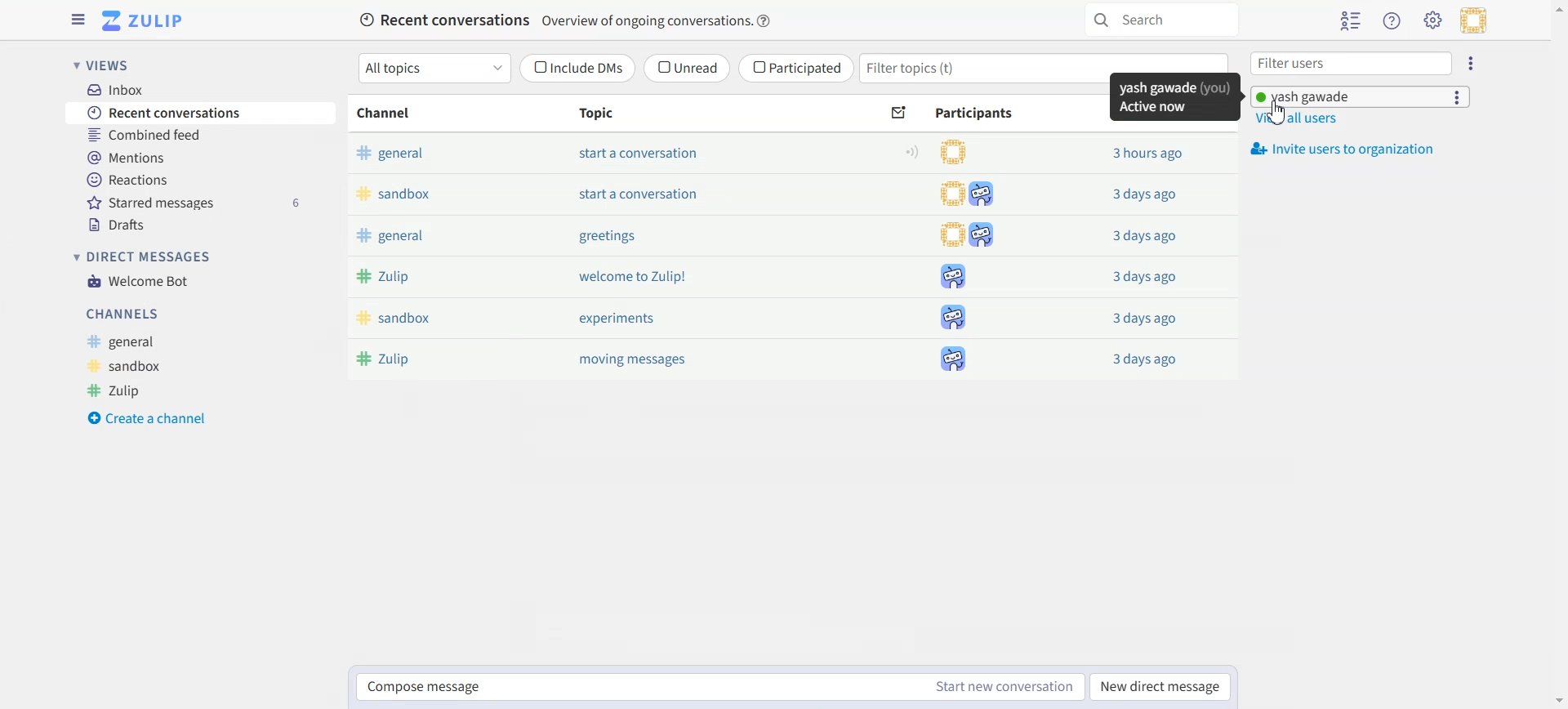 The height and width of the screenshot is (709, 1568). I want to click on 3 hours ago, so click(1143, 154).